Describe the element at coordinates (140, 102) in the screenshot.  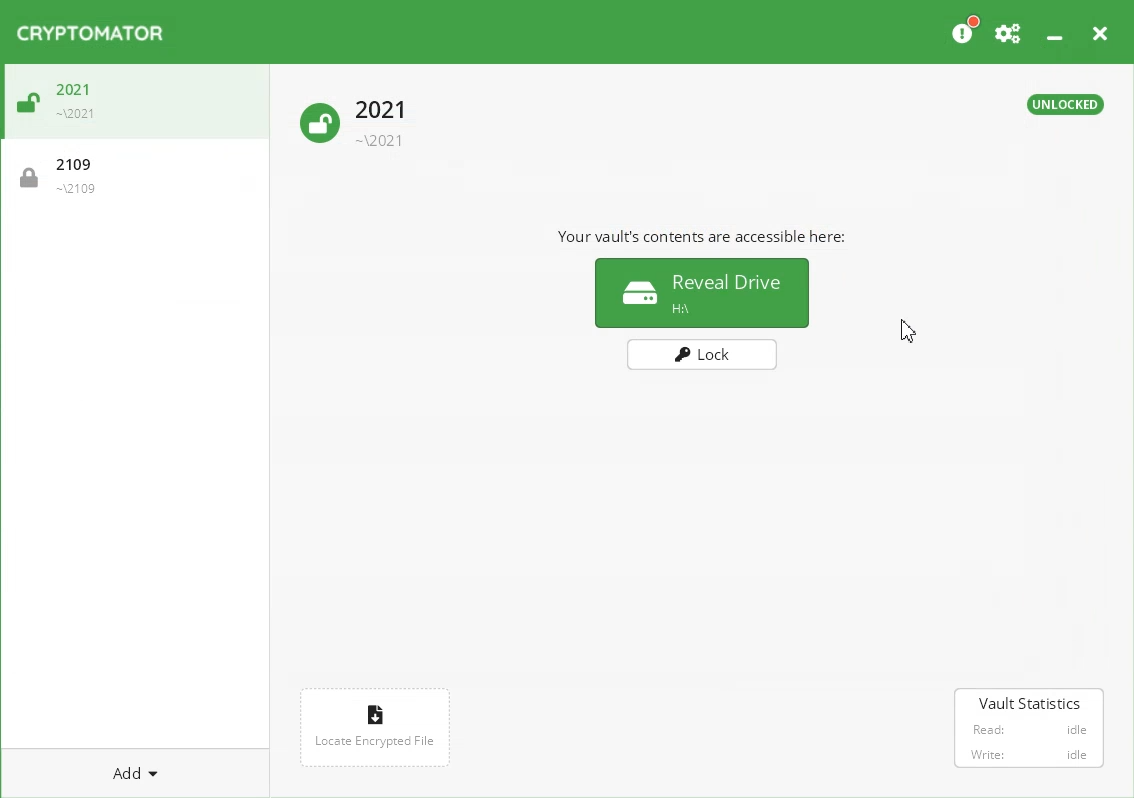
I see `2021 - Vault` at that location.